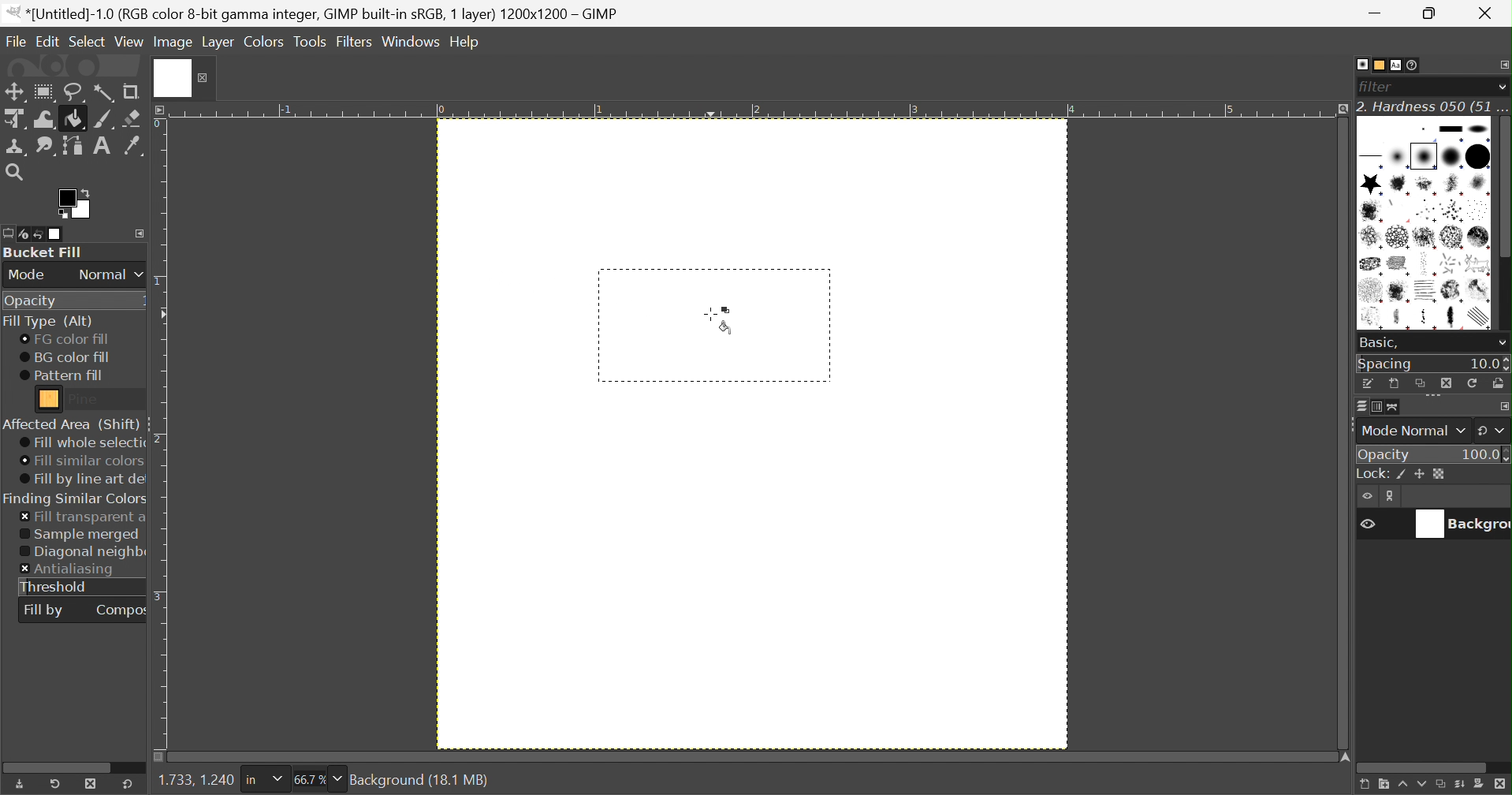  I want to click on 3, so click(161, 595).